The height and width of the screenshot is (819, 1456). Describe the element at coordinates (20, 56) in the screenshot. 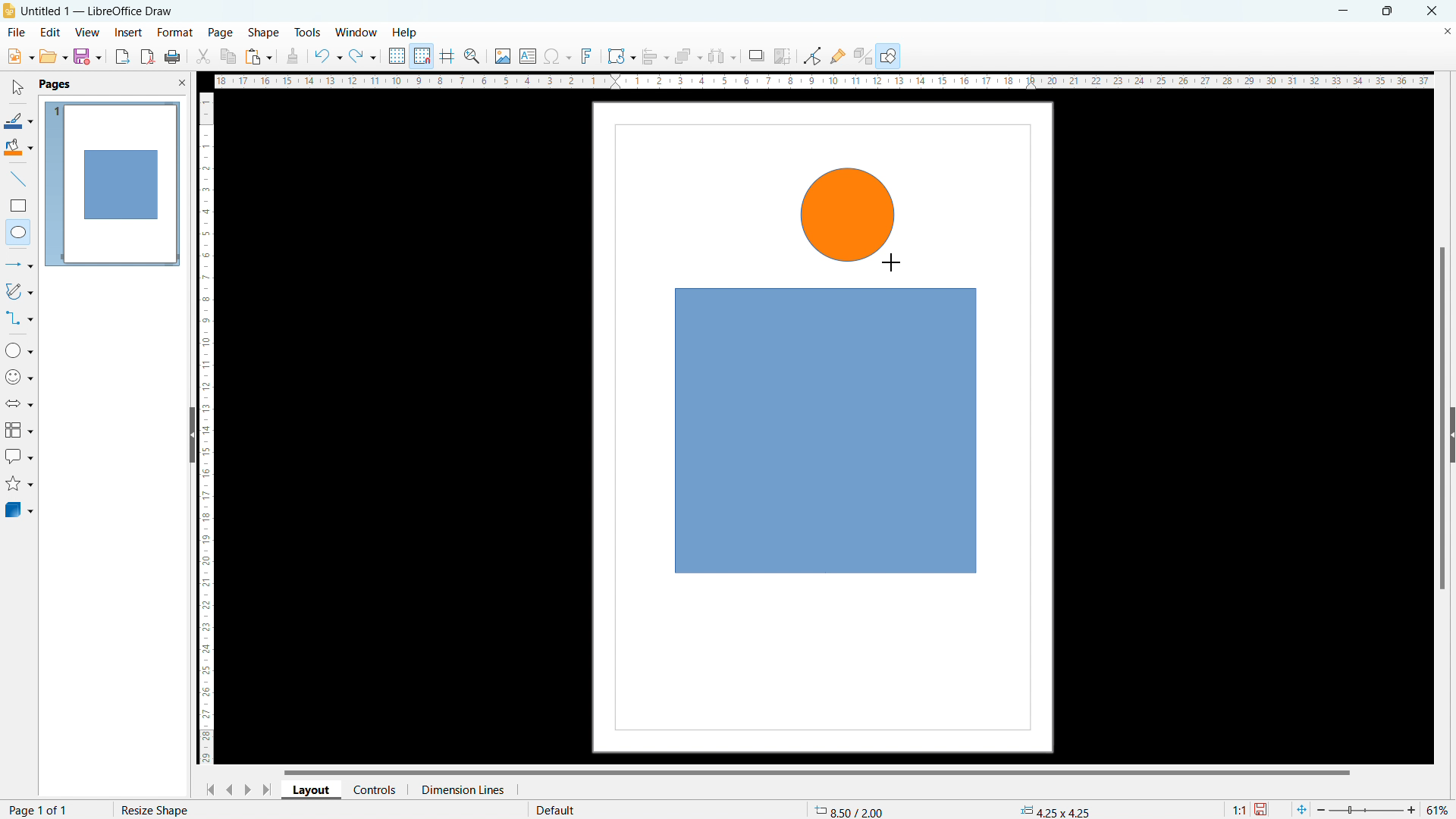

I see `new` at that location.